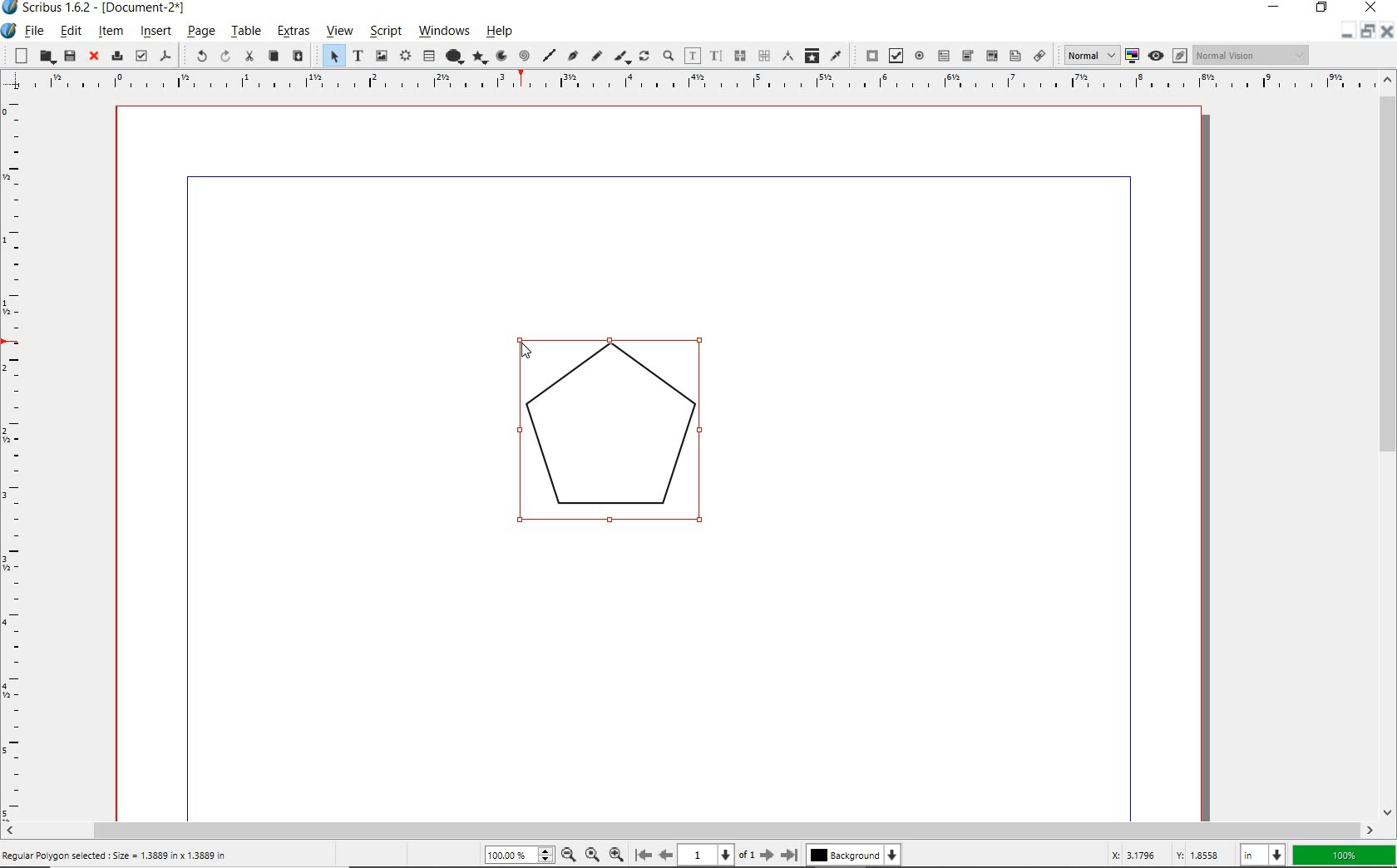  What do you see at coordinates (921, 56) in the screenshot?
I see `pdf radio button` at bounding box center [921, 56].